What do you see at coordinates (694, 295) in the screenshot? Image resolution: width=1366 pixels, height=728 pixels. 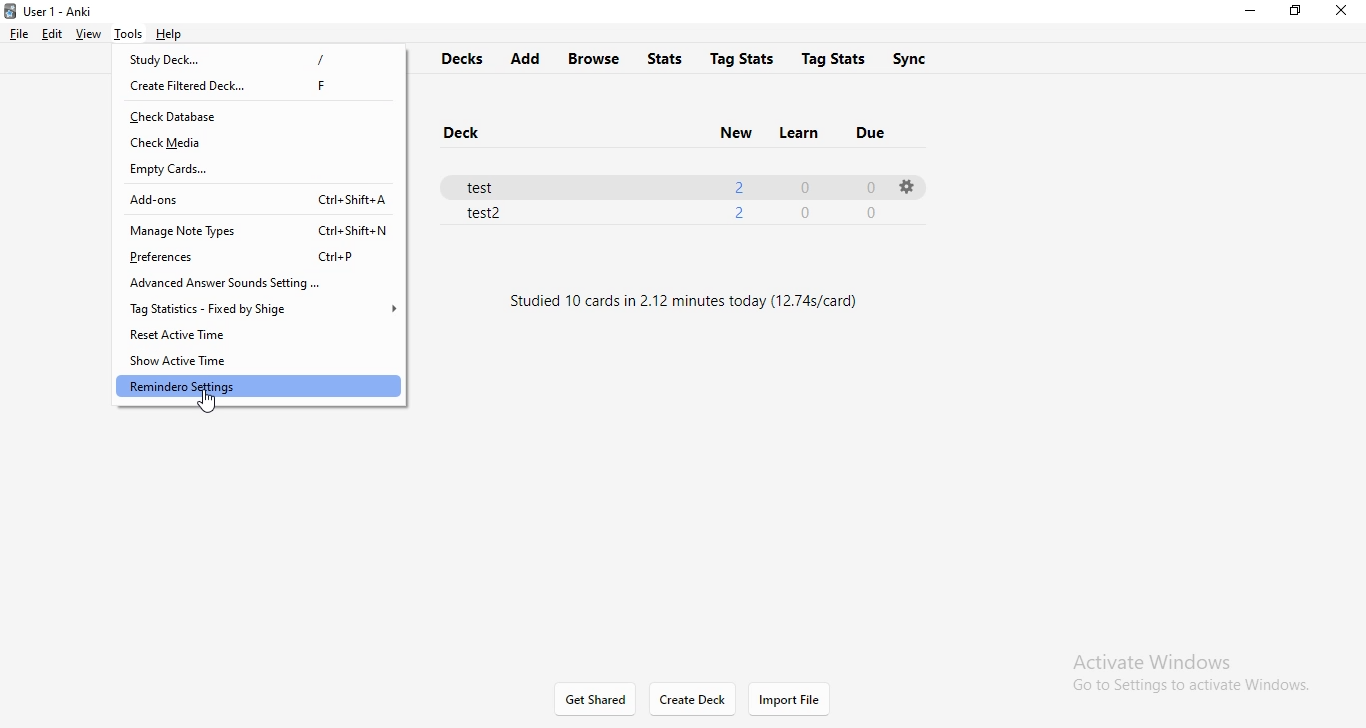 I see `text1` at bounding box center [694, 295].